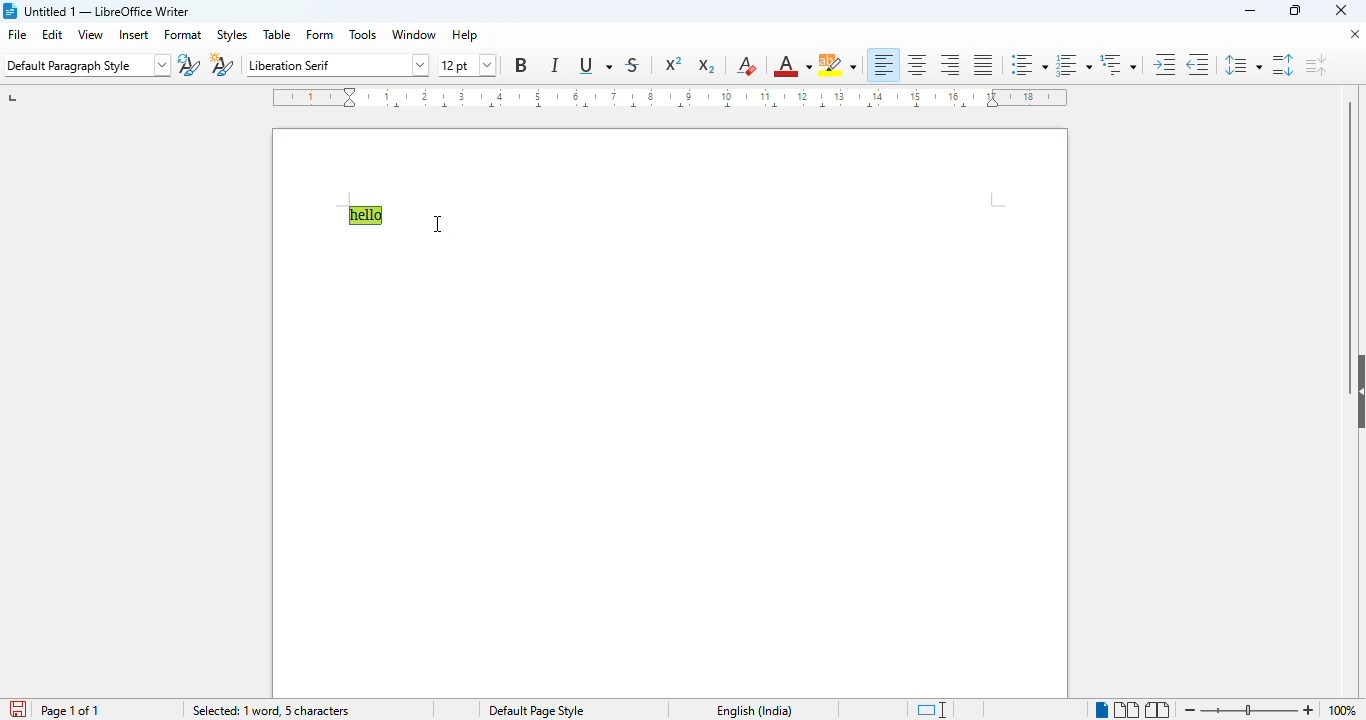  Describe the element at coordinates (1125, 709) in the screenshot. I see `multi-page view` at that location.